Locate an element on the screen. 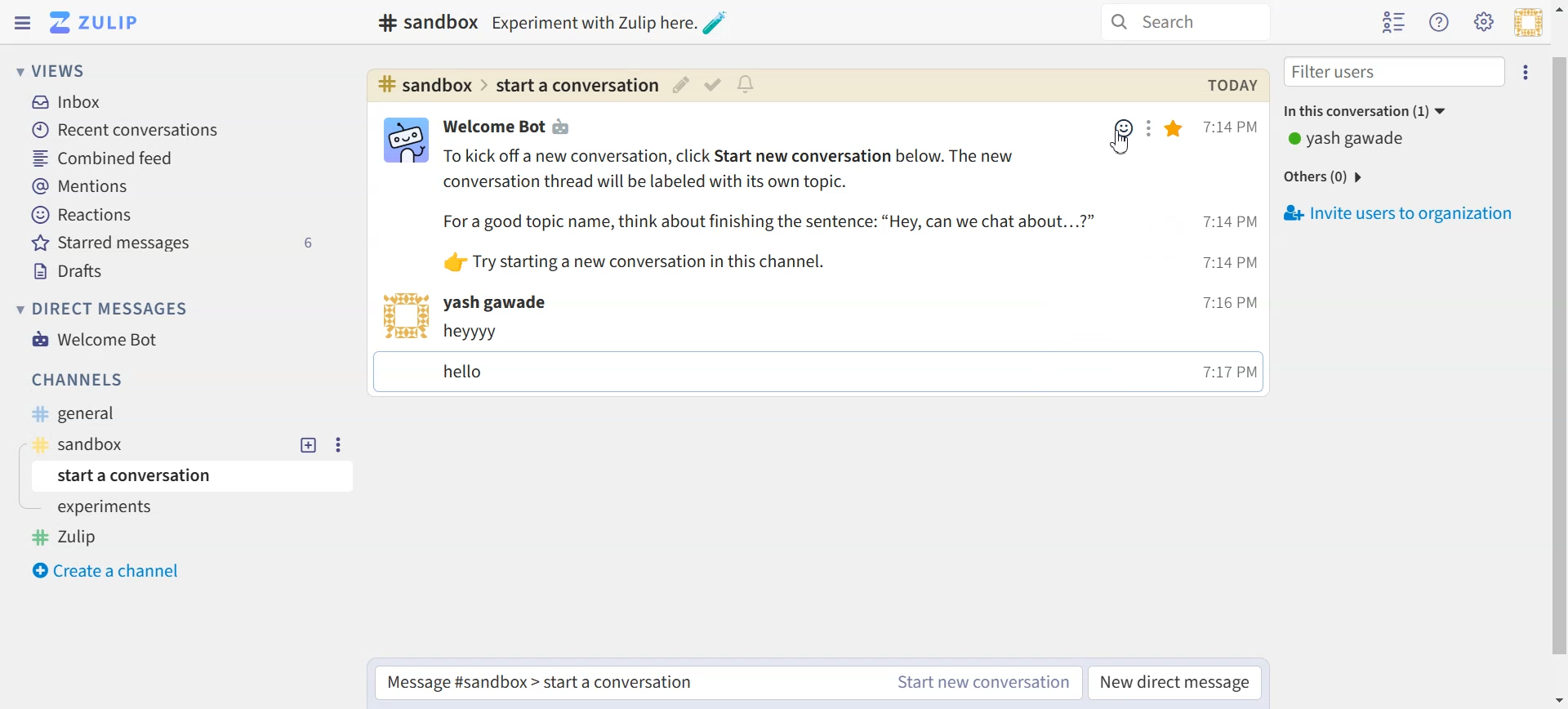  Drafts is located at coordinates (72, 270).